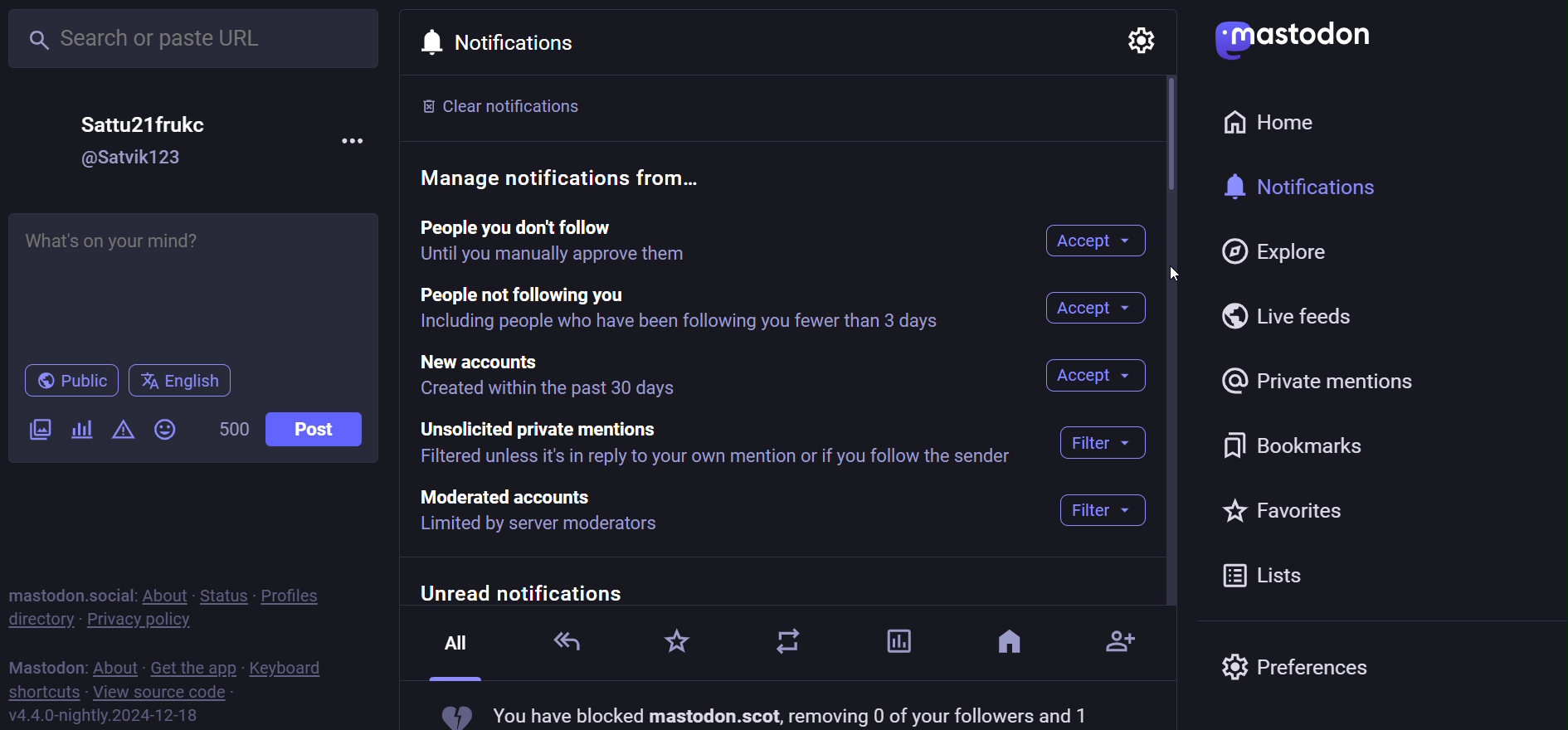 This screenshot has height=730, width=1568. I want to click on poll, so click(894, 640).